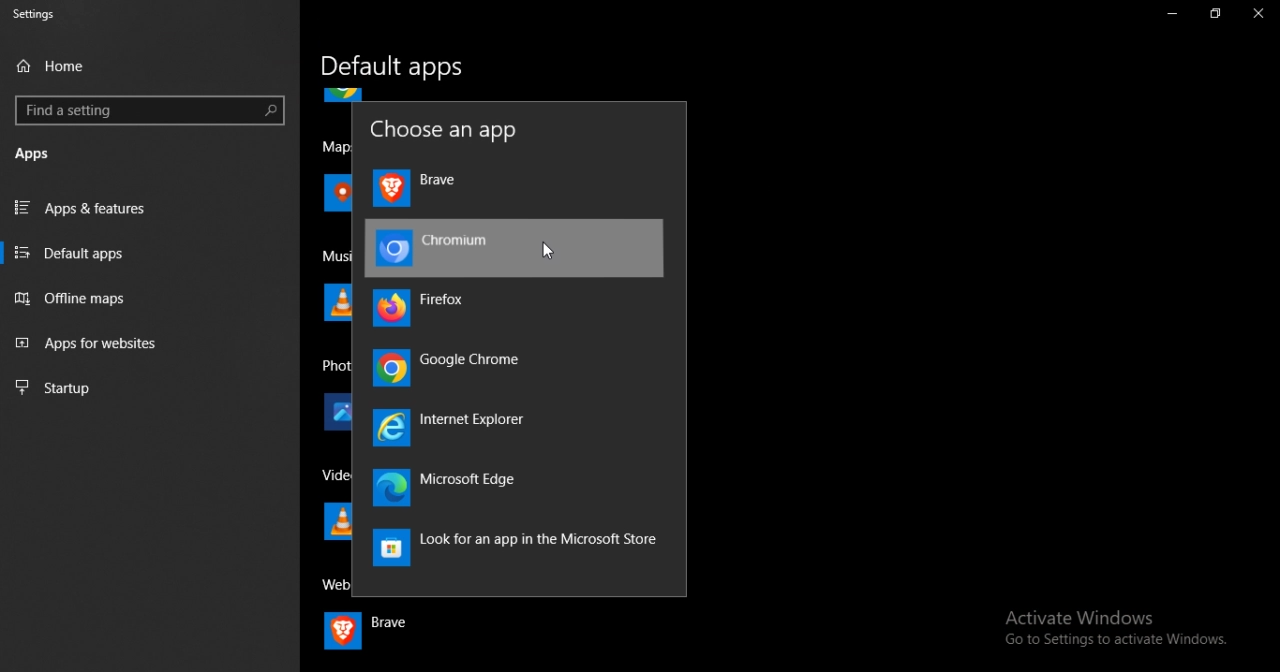  What do you see at coordinates (333, 584) in the screenshot?
I see `Web` at bounding box center [333, 584].